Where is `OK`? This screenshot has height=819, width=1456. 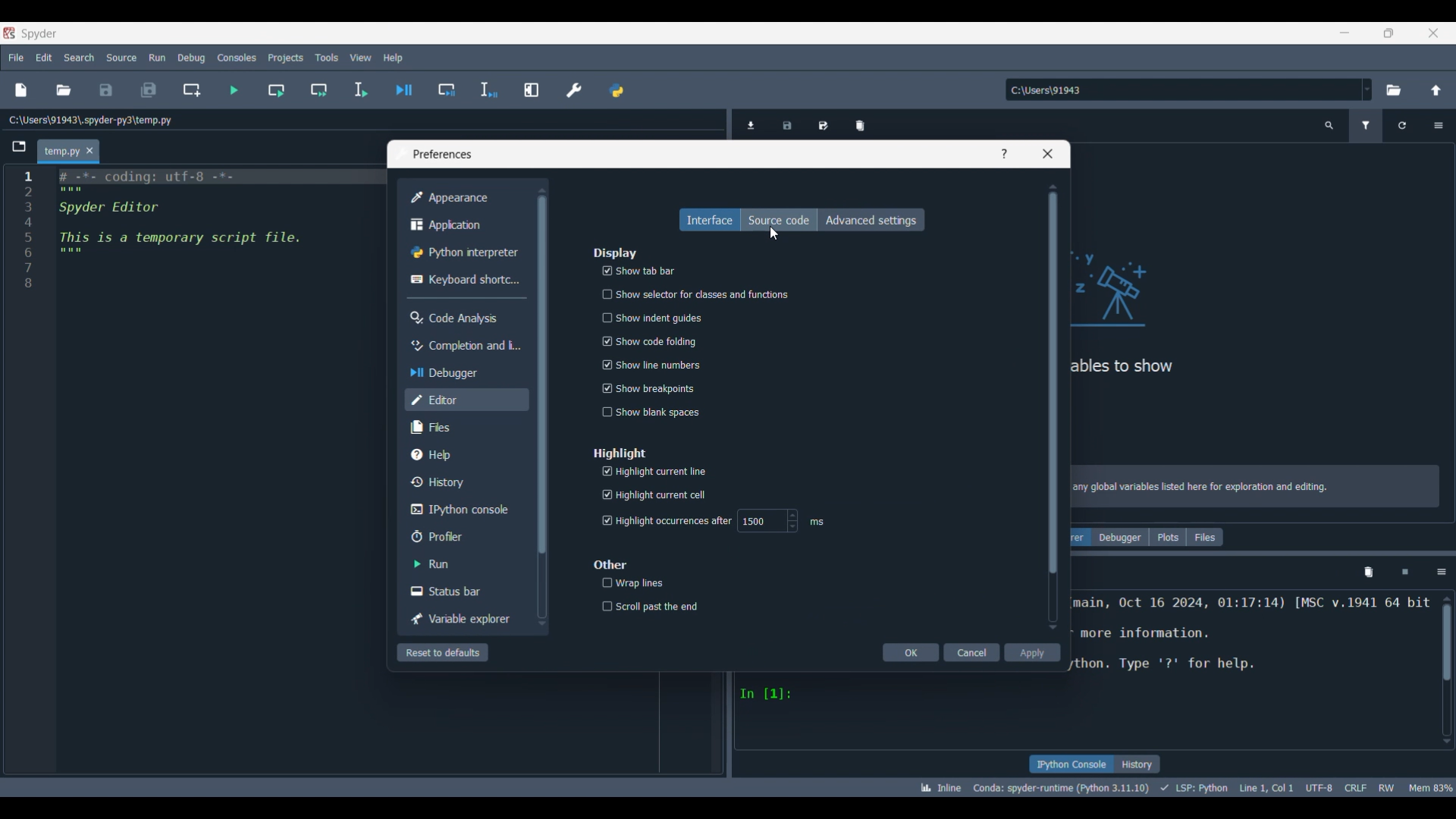 OK is located at coordinates (910, 652).